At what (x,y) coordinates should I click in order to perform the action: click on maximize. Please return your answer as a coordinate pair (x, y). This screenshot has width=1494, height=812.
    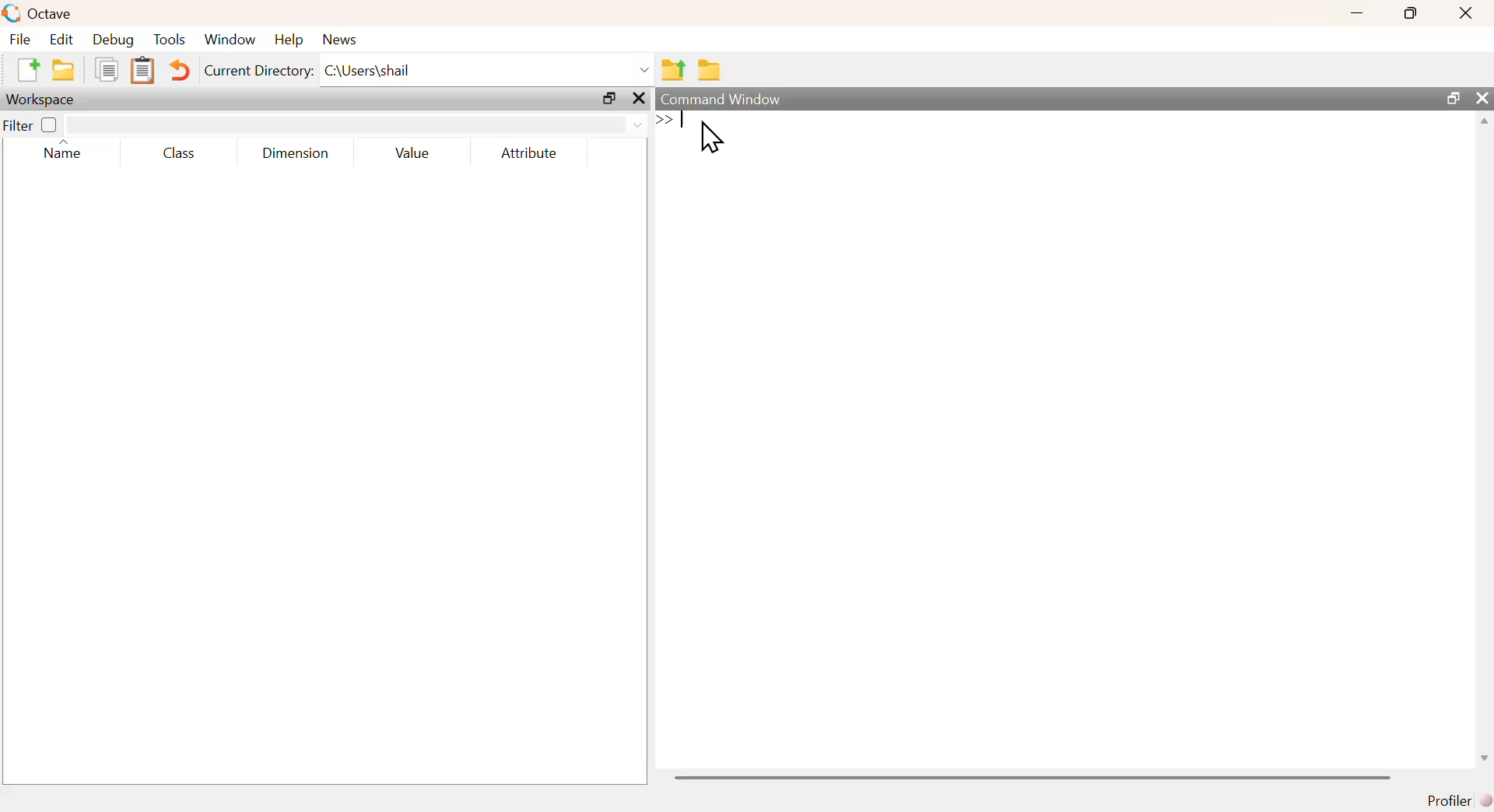
    Looking at the image, I should click on (1408, 13).